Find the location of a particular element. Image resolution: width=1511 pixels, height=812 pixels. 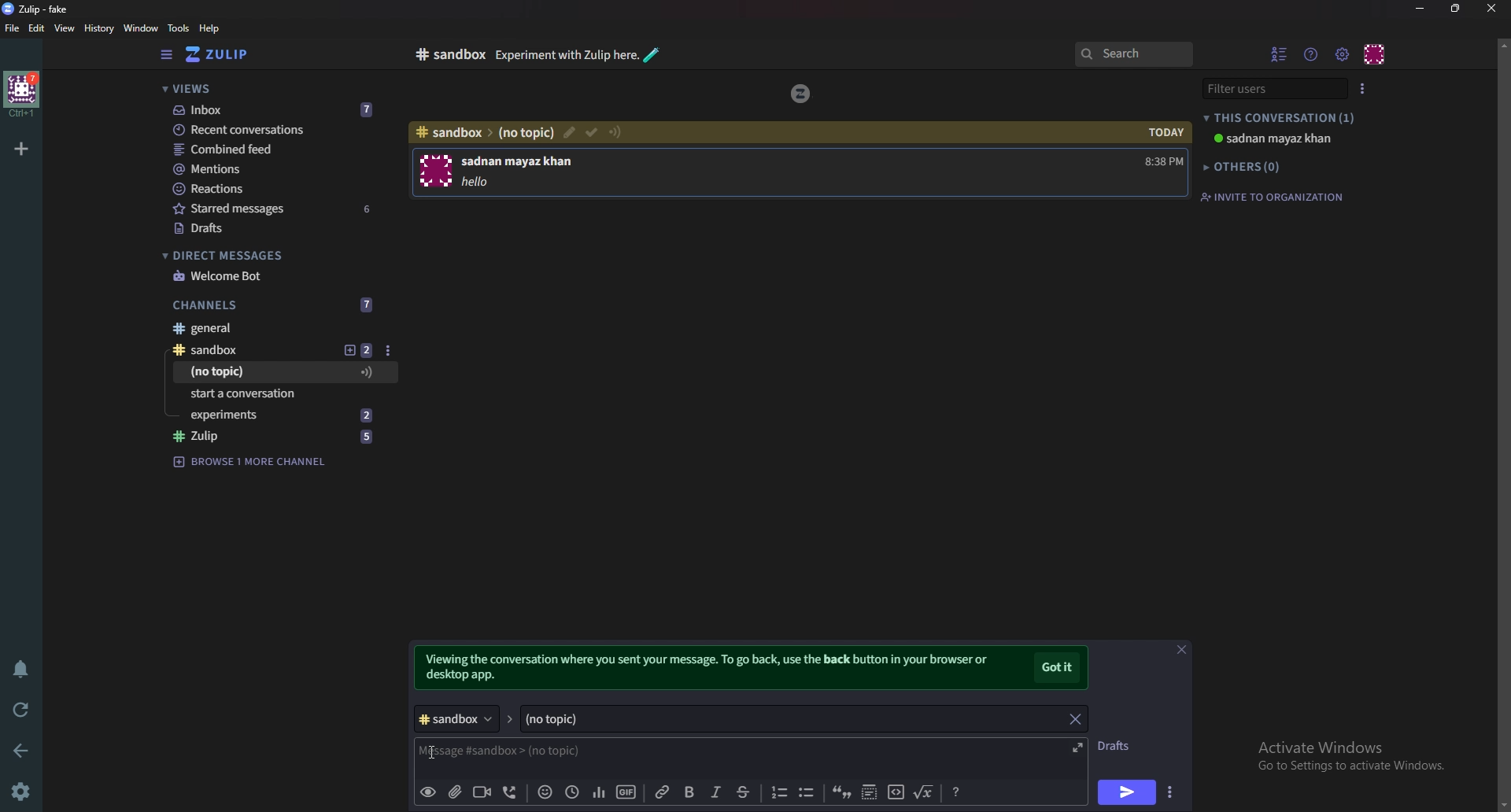

Spoiler is located at coordinates (870, 793).